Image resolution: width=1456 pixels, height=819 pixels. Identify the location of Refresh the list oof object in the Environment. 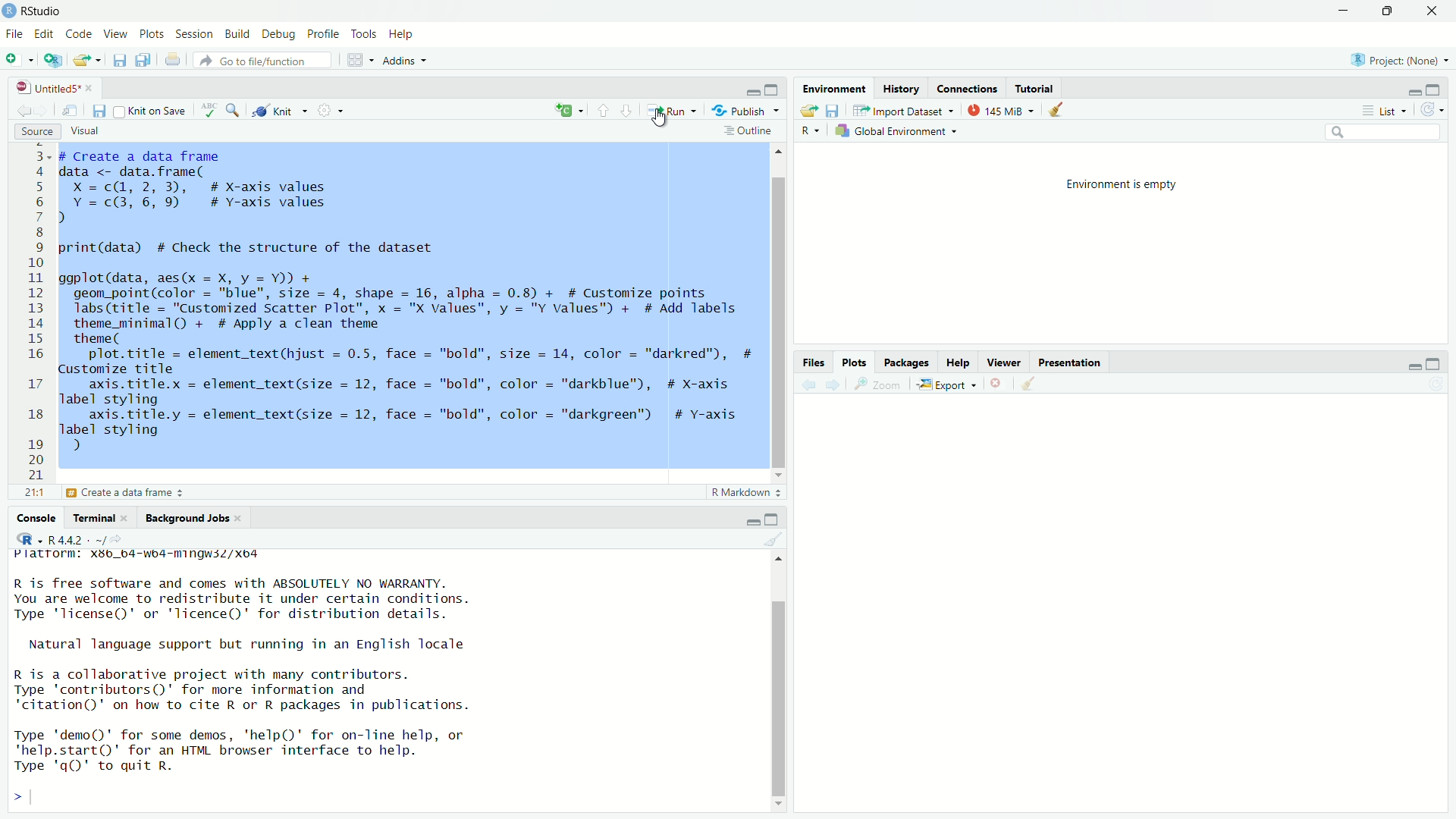
(1433, 110).